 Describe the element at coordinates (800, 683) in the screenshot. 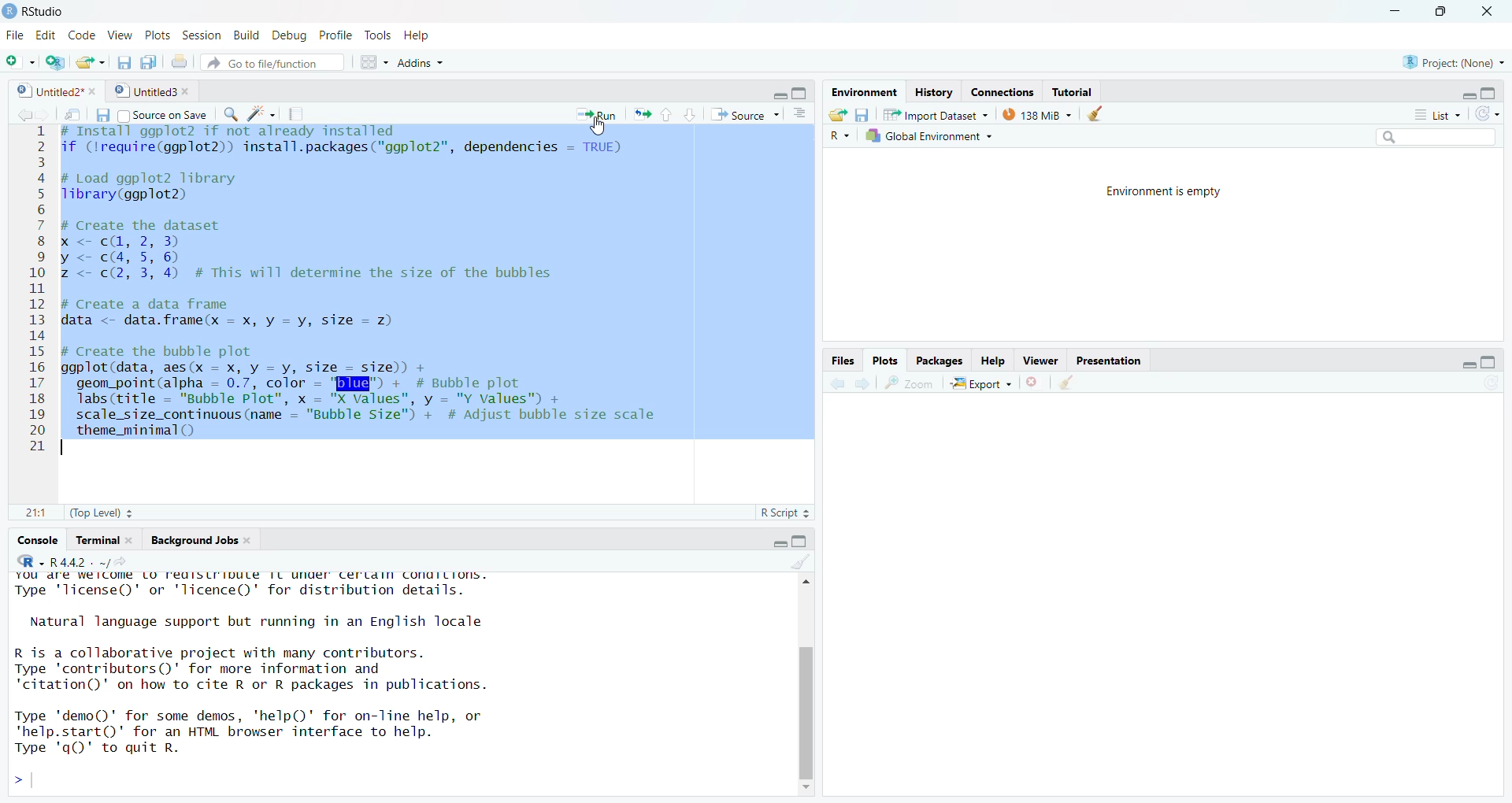

I see `scrollbar` at that location.